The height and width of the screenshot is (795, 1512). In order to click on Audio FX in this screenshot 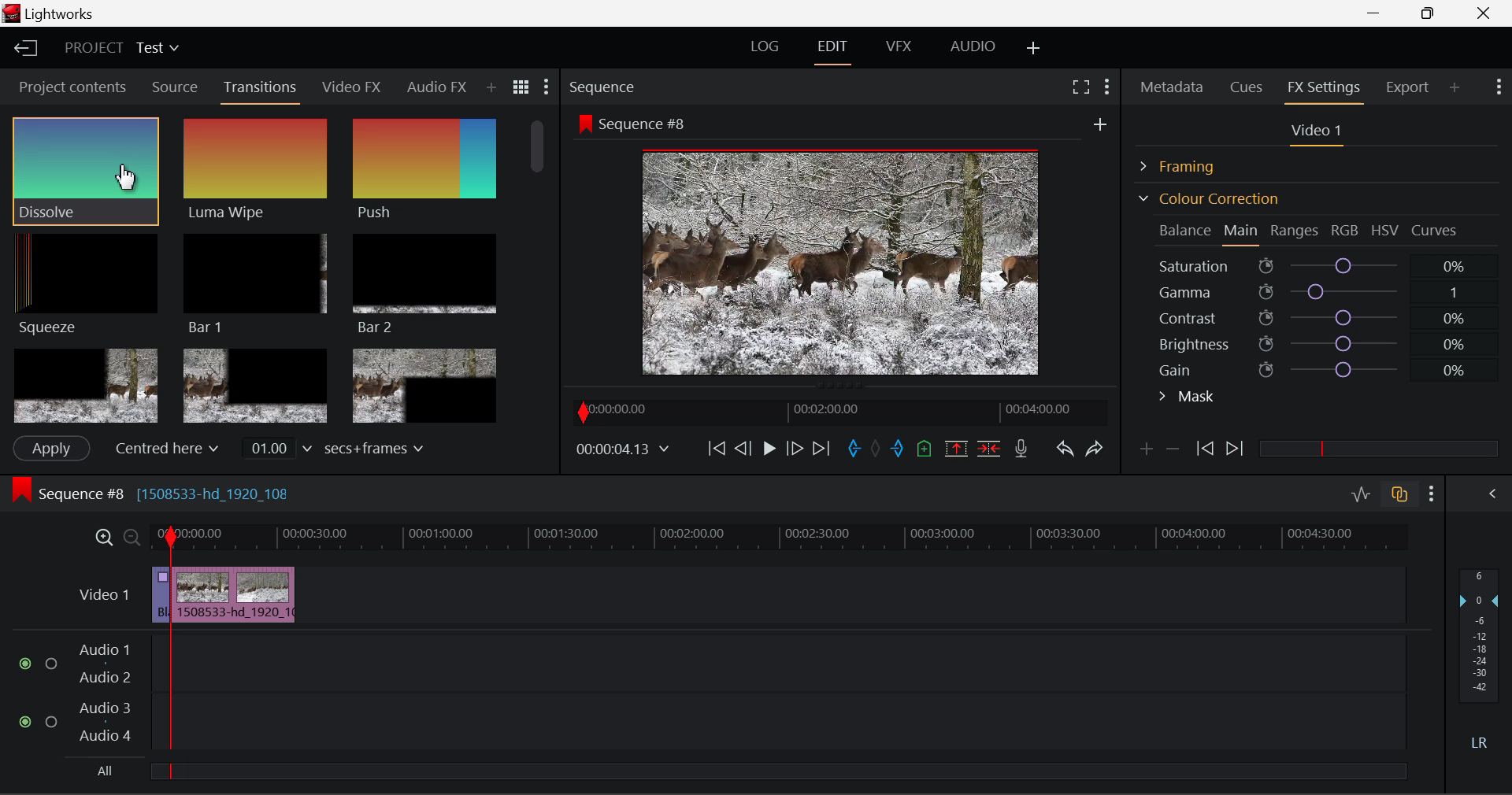, I will do `click(432, 87)`.